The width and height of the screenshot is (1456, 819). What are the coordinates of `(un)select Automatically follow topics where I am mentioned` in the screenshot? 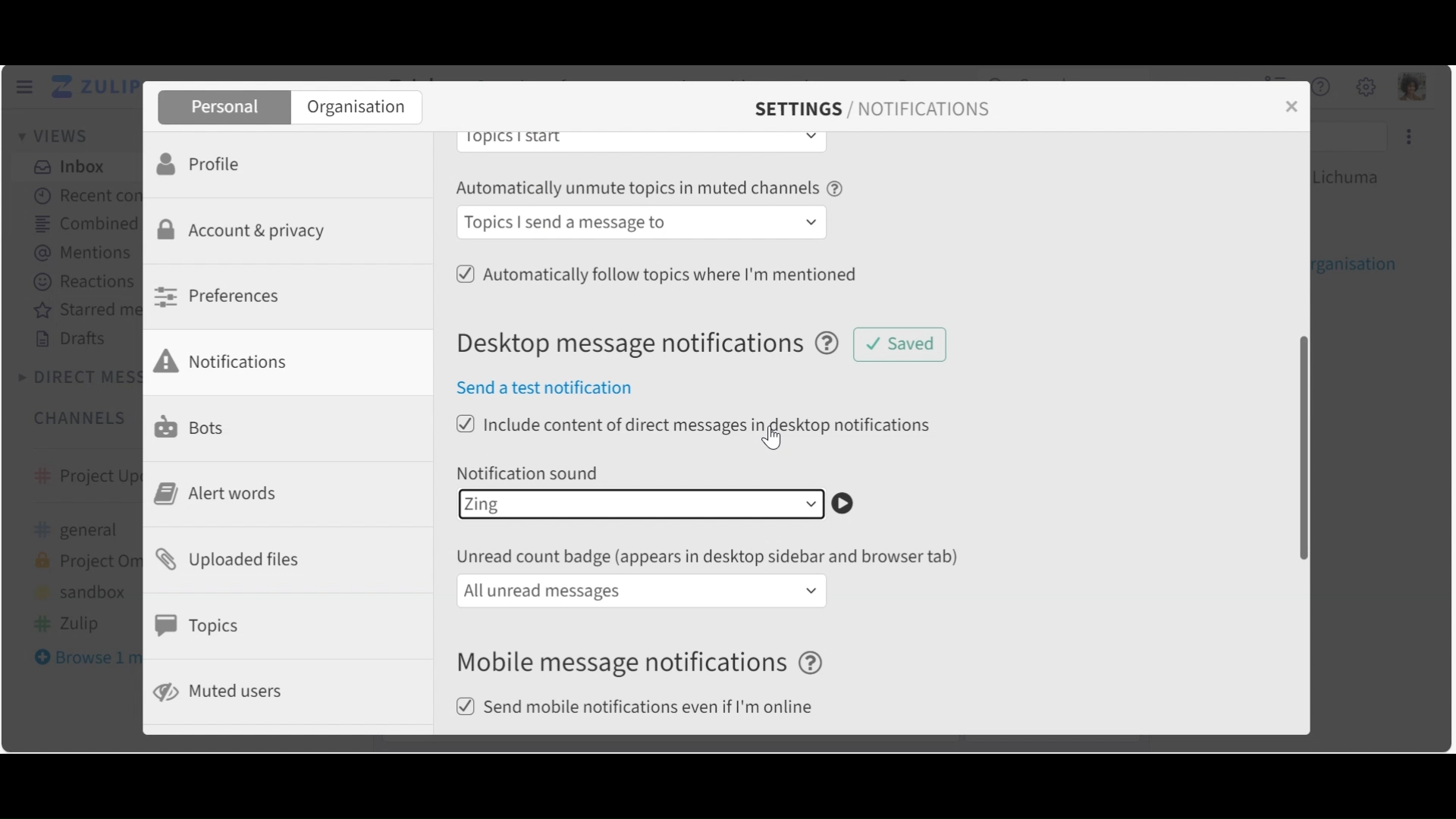 It's located at (656, 272).